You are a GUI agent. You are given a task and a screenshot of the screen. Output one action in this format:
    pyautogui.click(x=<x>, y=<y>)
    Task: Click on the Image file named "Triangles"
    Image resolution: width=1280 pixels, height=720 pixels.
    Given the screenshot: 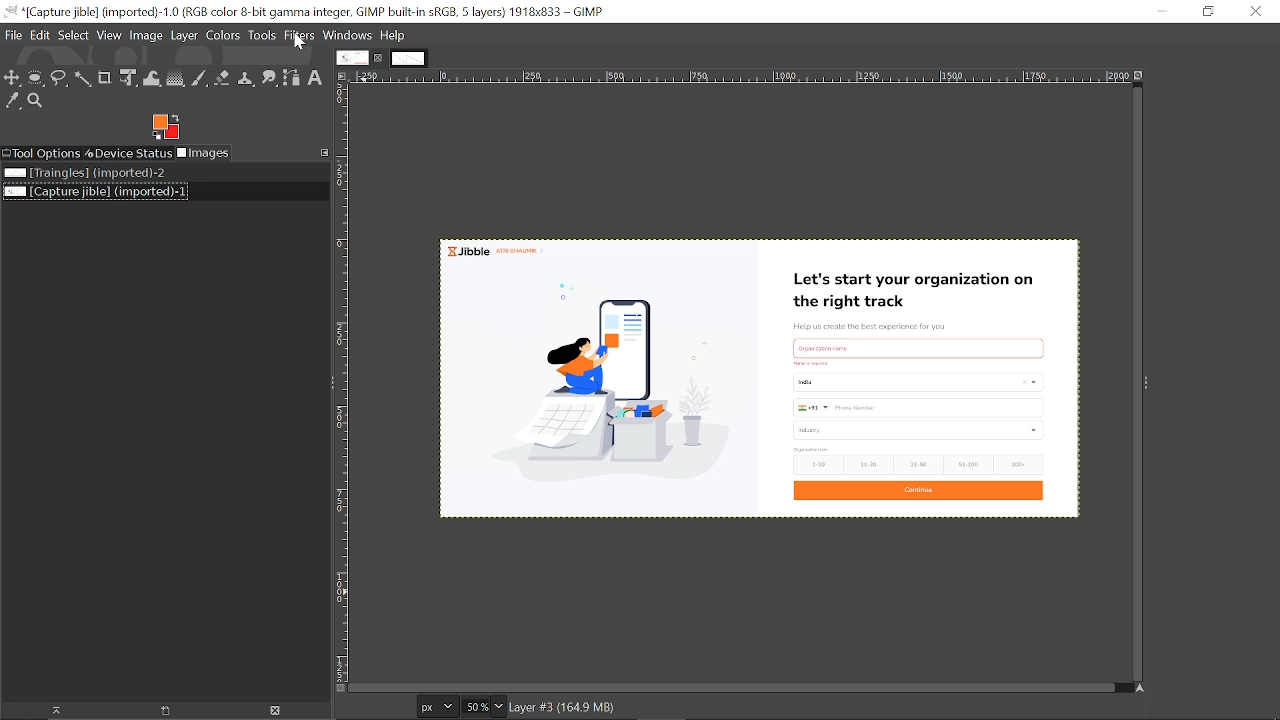 What is the action you would take?
    pyautogui.click(x=92, y=172)
    